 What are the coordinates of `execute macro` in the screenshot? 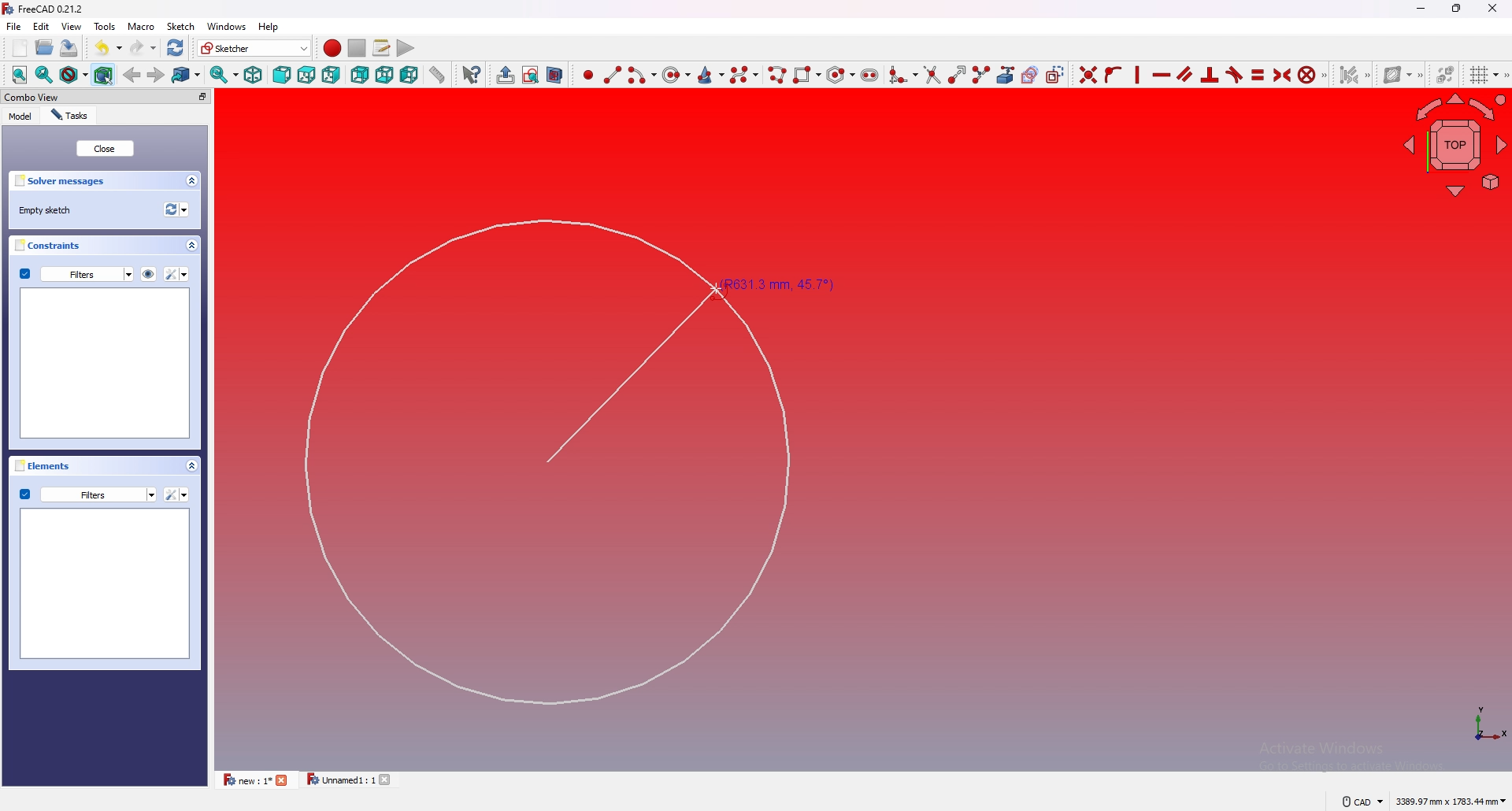 It's located at (406, 48).